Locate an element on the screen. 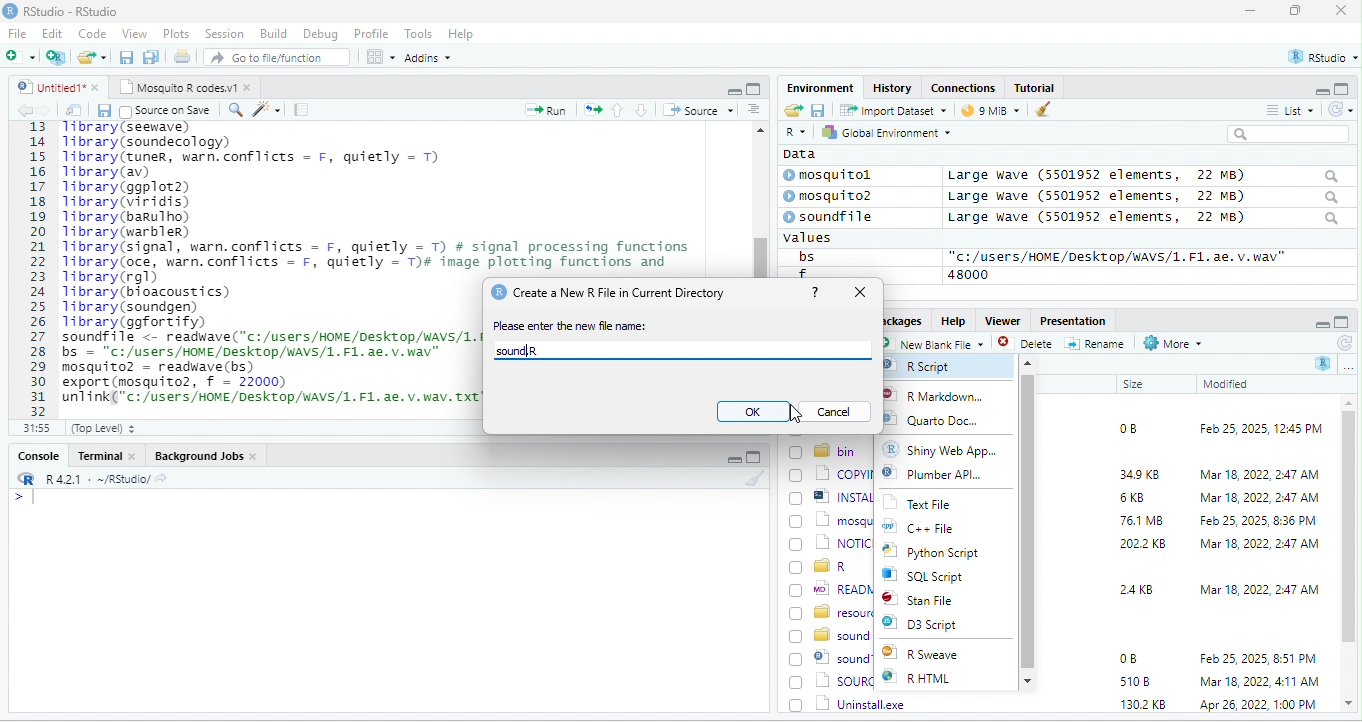  data is located at coordinates (797, 153).